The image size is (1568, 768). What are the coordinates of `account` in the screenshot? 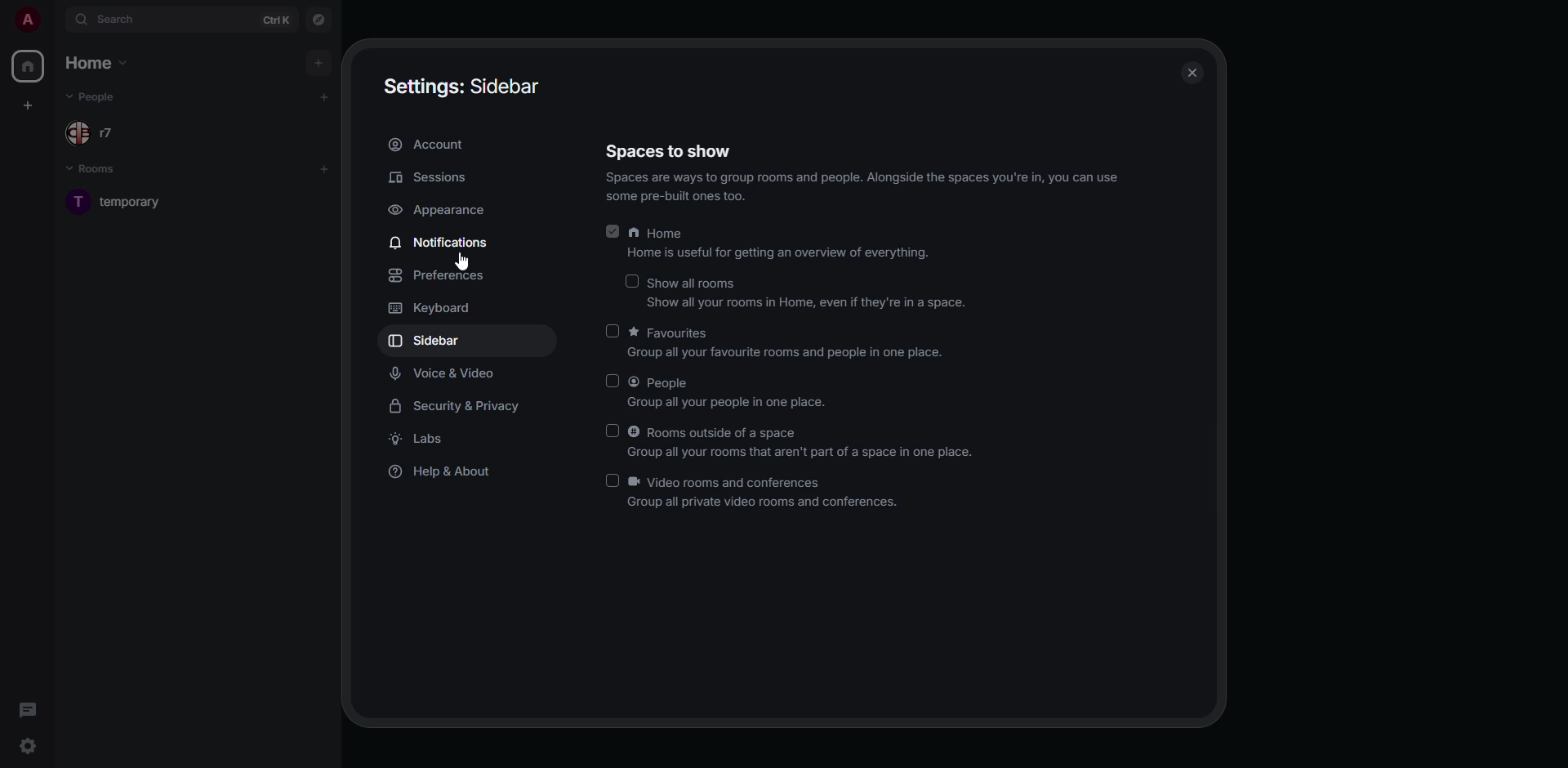 It's located at (429, 144).